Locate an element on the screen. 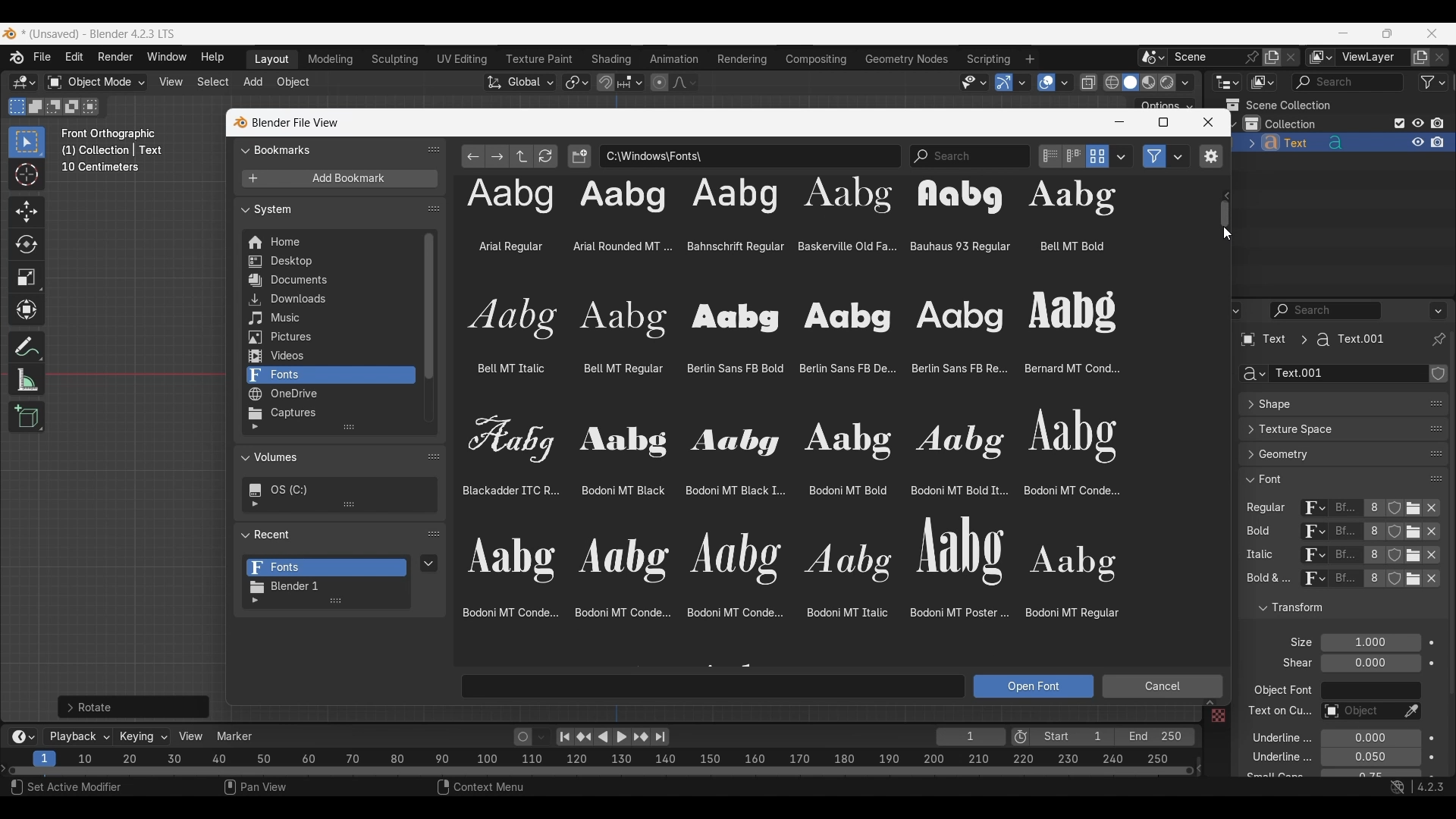 Image resolution: width=1456 pixels, height=819 pixels. Cursor unselecting vertical slide bar is located at coordinates (1227, 234).